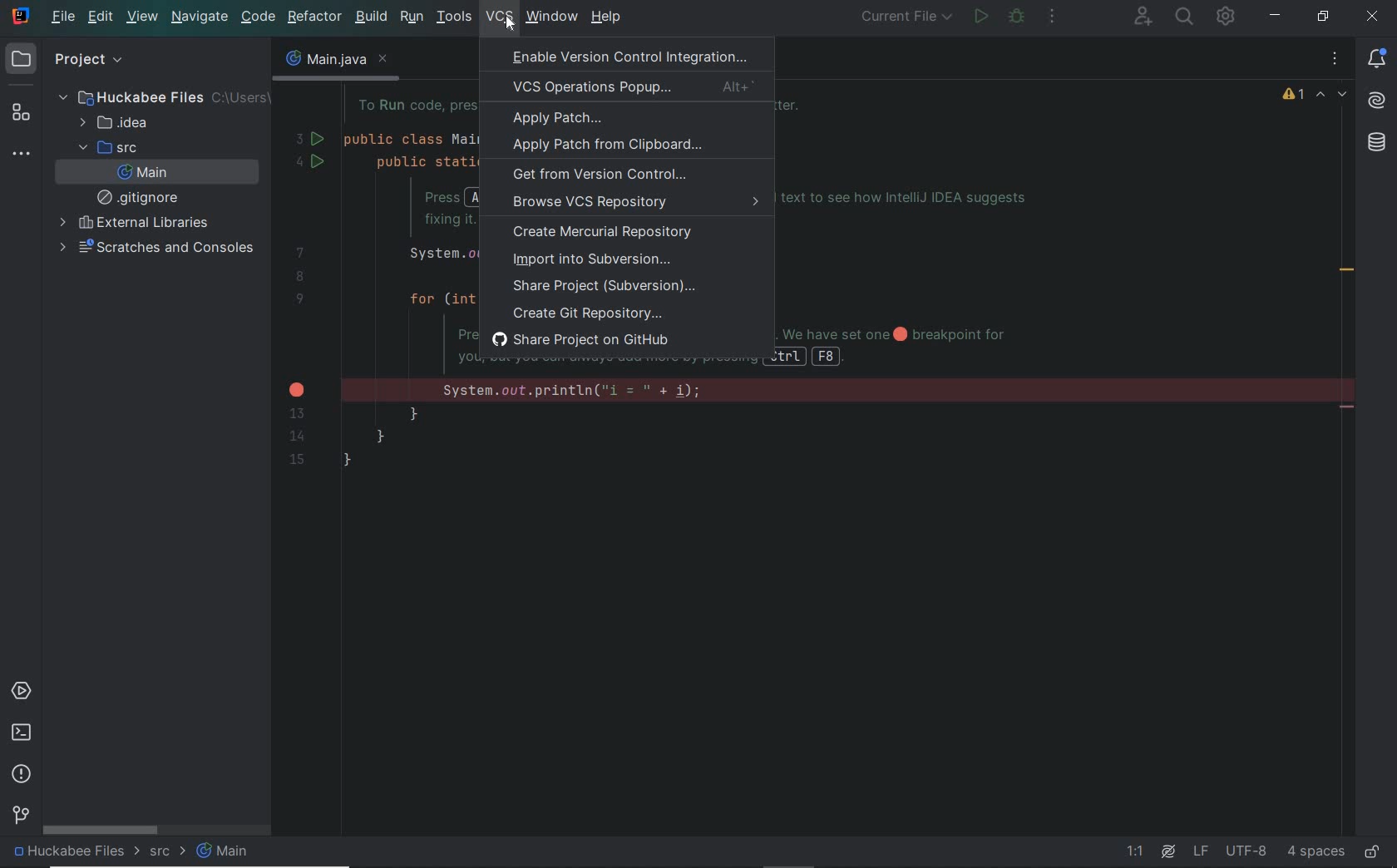 The height and width of the screenshot is (868, 1397). What do you see at coordinates (1370, 851) in the screenshot?
I see `make file ready only` at bounding box center [1370, 851].